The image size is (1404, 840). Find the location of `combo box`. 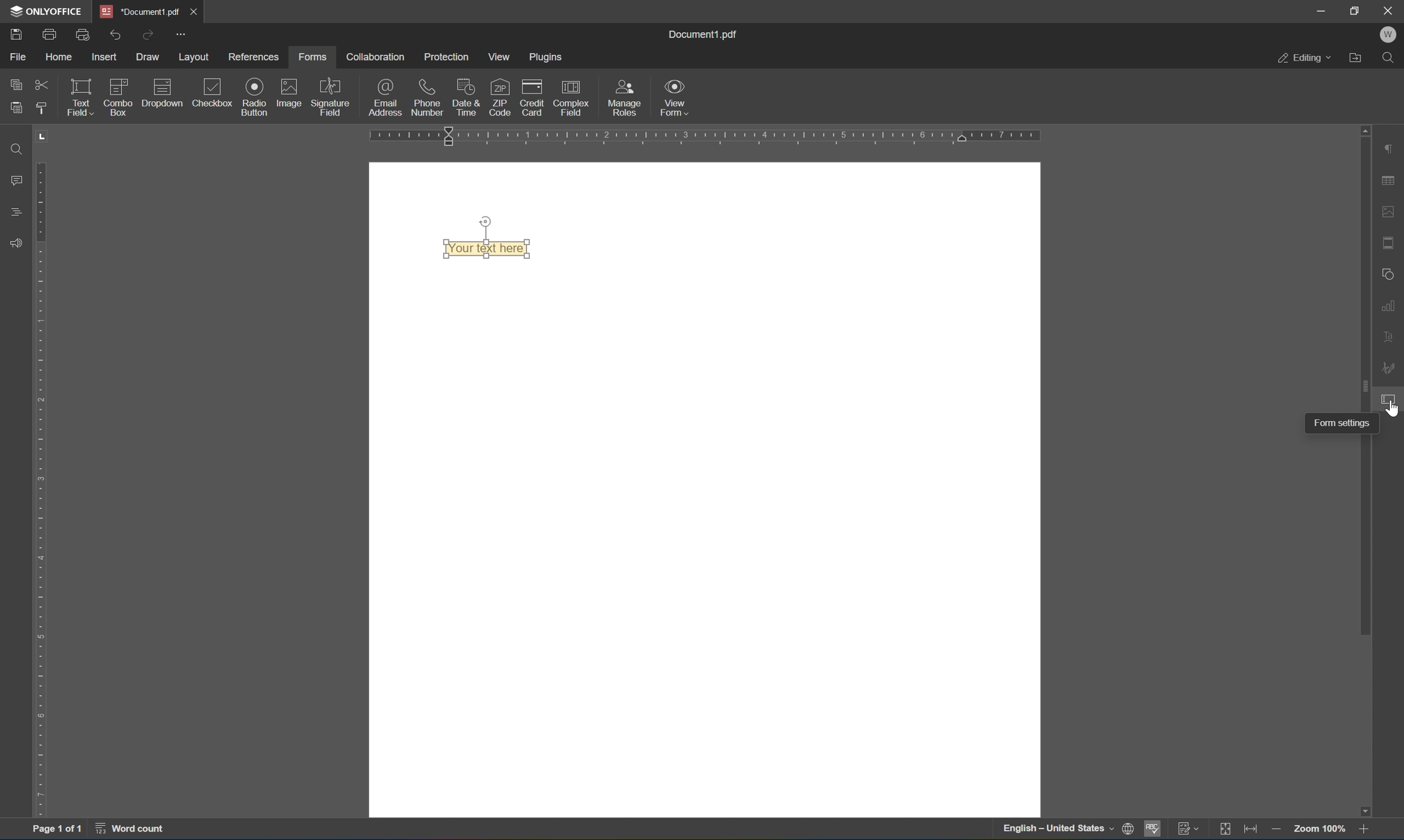

combo box is located at coordinates (121, 91).